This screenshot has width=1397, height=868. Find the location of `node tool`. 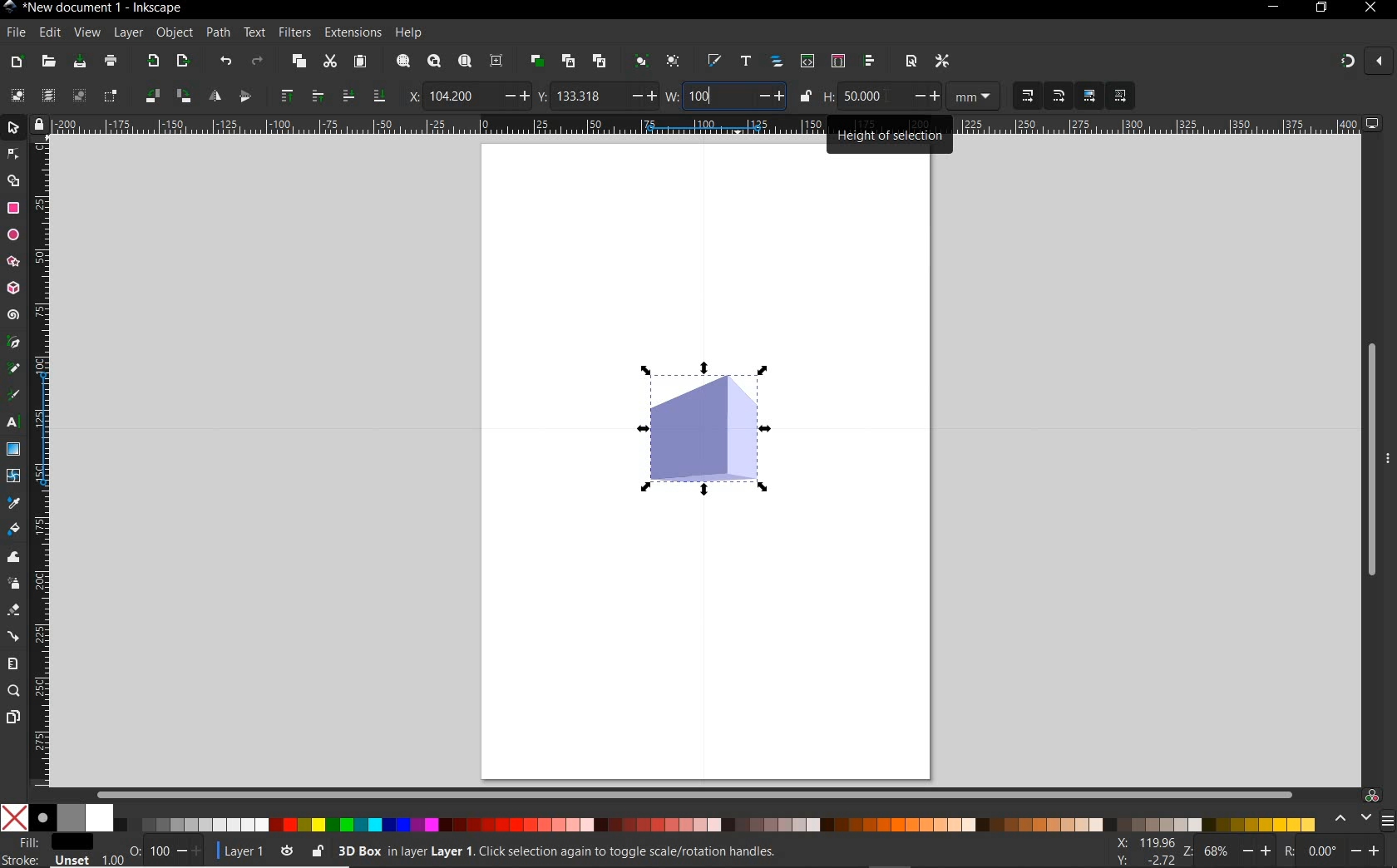

node tool is located at coordinates (13, 155).